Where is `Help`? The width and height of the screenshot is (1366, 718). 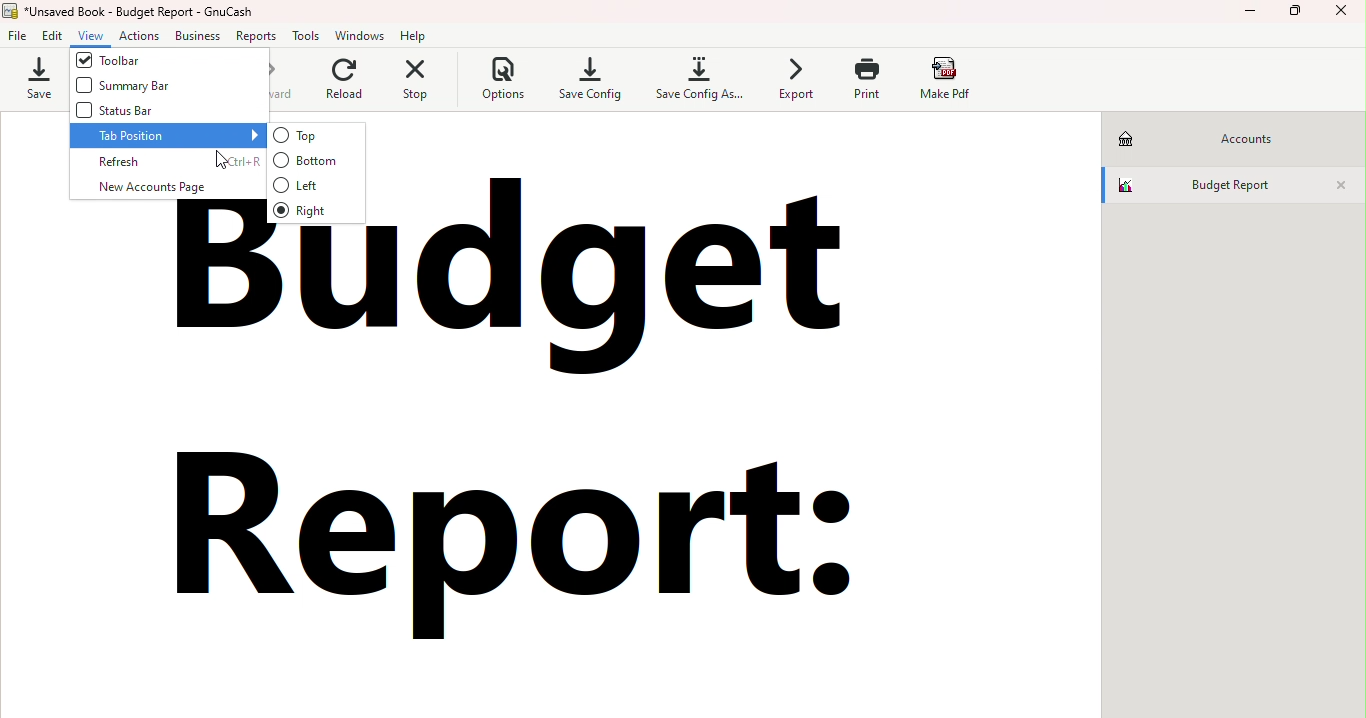 Help is located at coordinates (416, 37).